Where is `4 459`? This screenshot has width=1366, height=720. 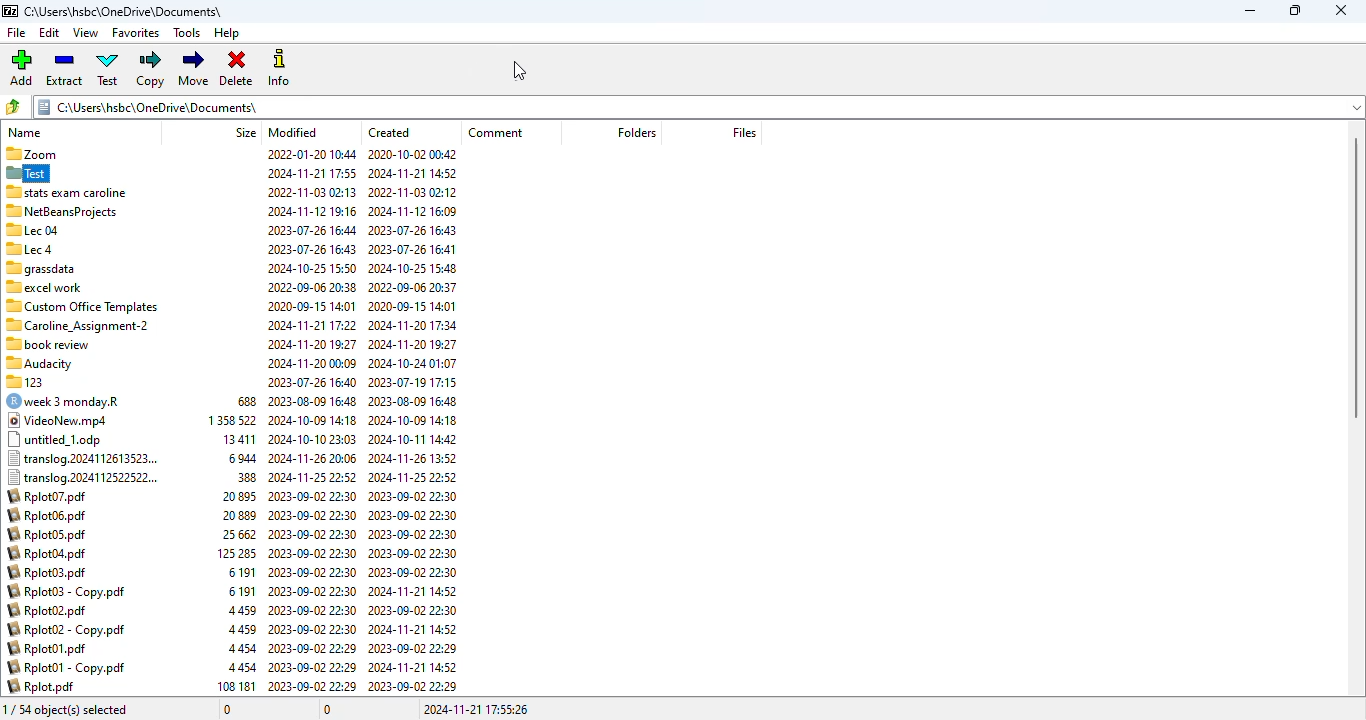
4 459 is located at coordinates (243, 610).